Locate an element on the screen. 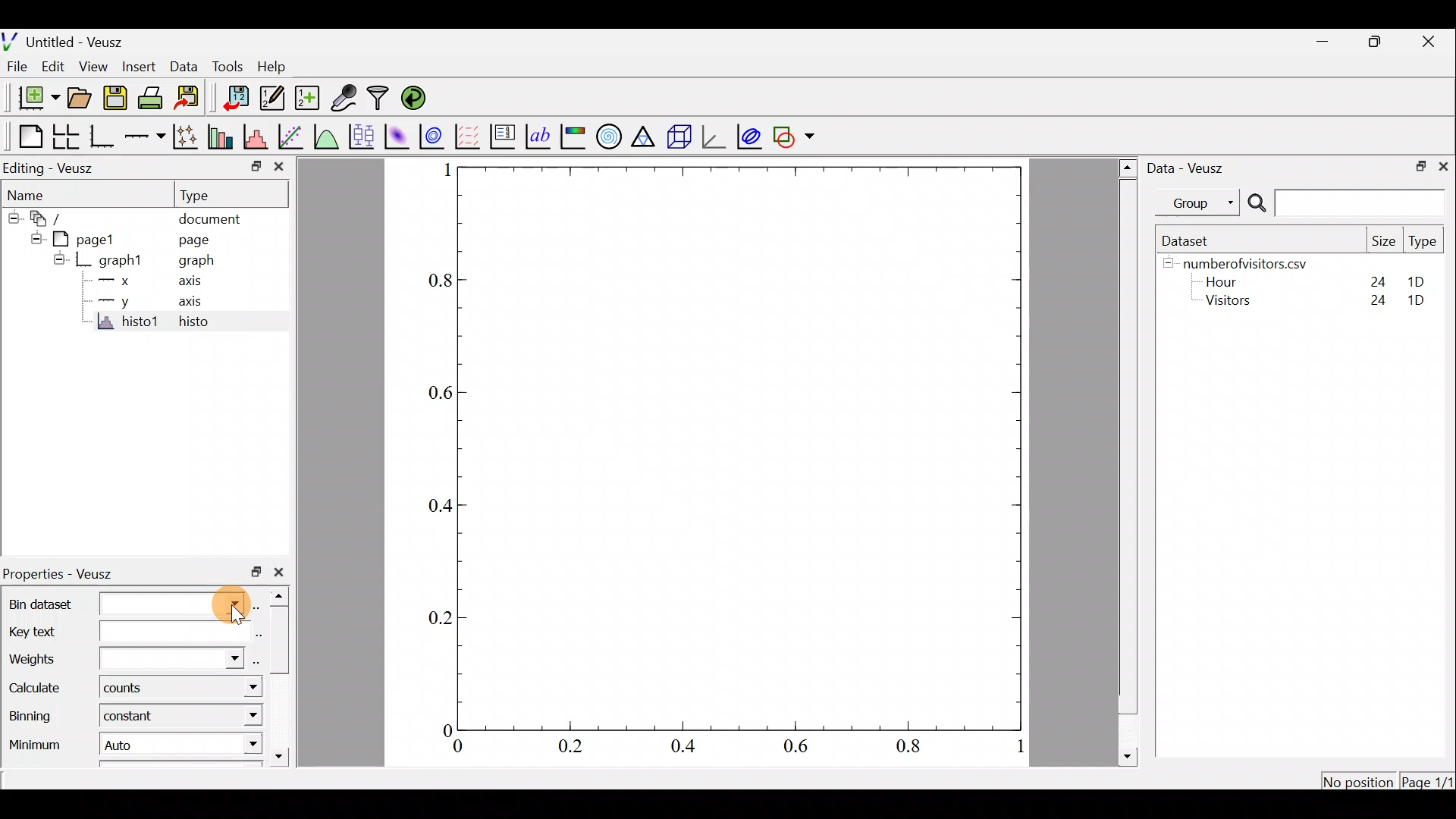  plot box plots is located at coordinates (364, 135).